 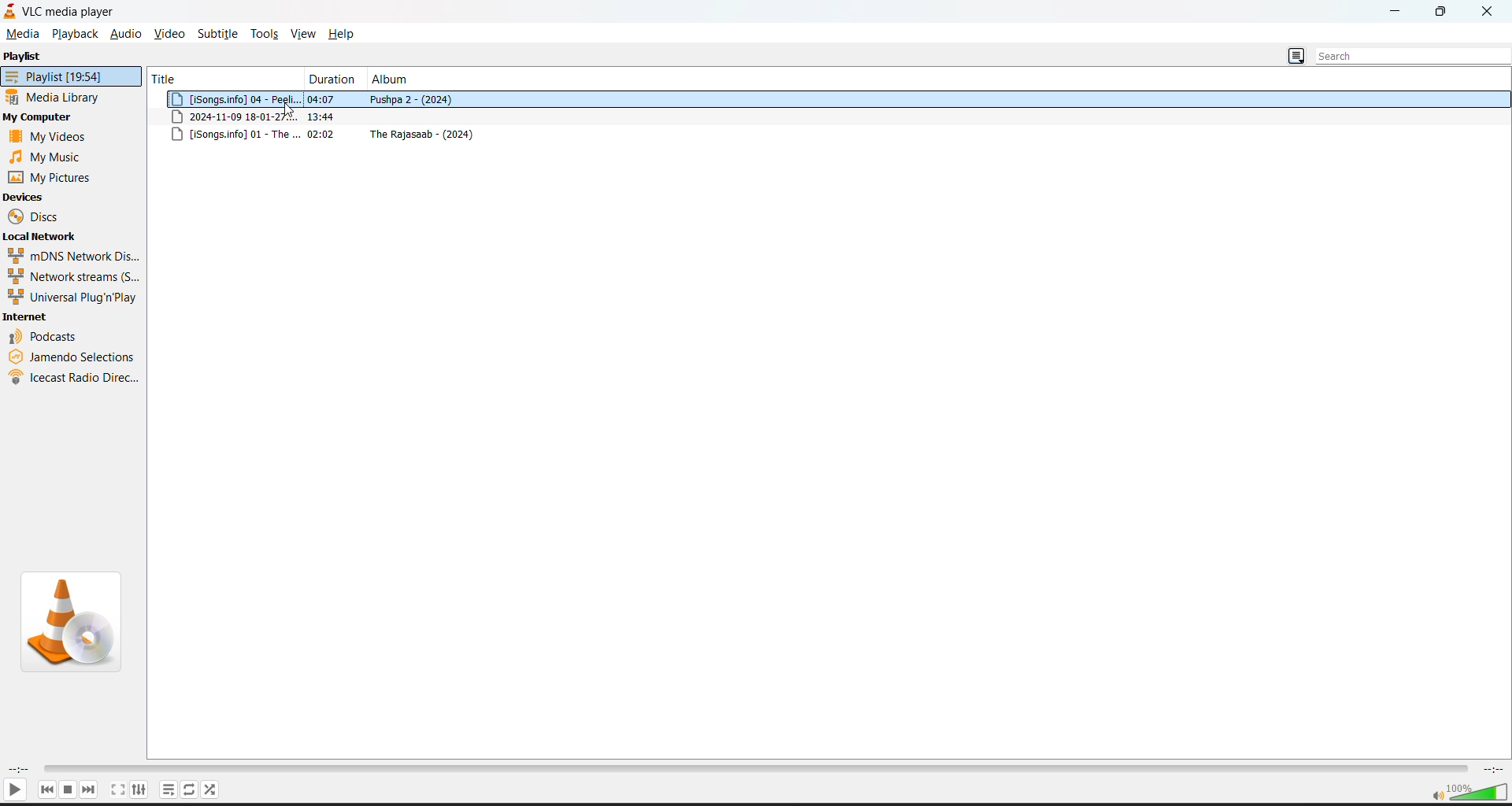 What do you see at coordinates (43, 335) in the screenshot?
I see `podcasts` at bounding box center [43, 335].